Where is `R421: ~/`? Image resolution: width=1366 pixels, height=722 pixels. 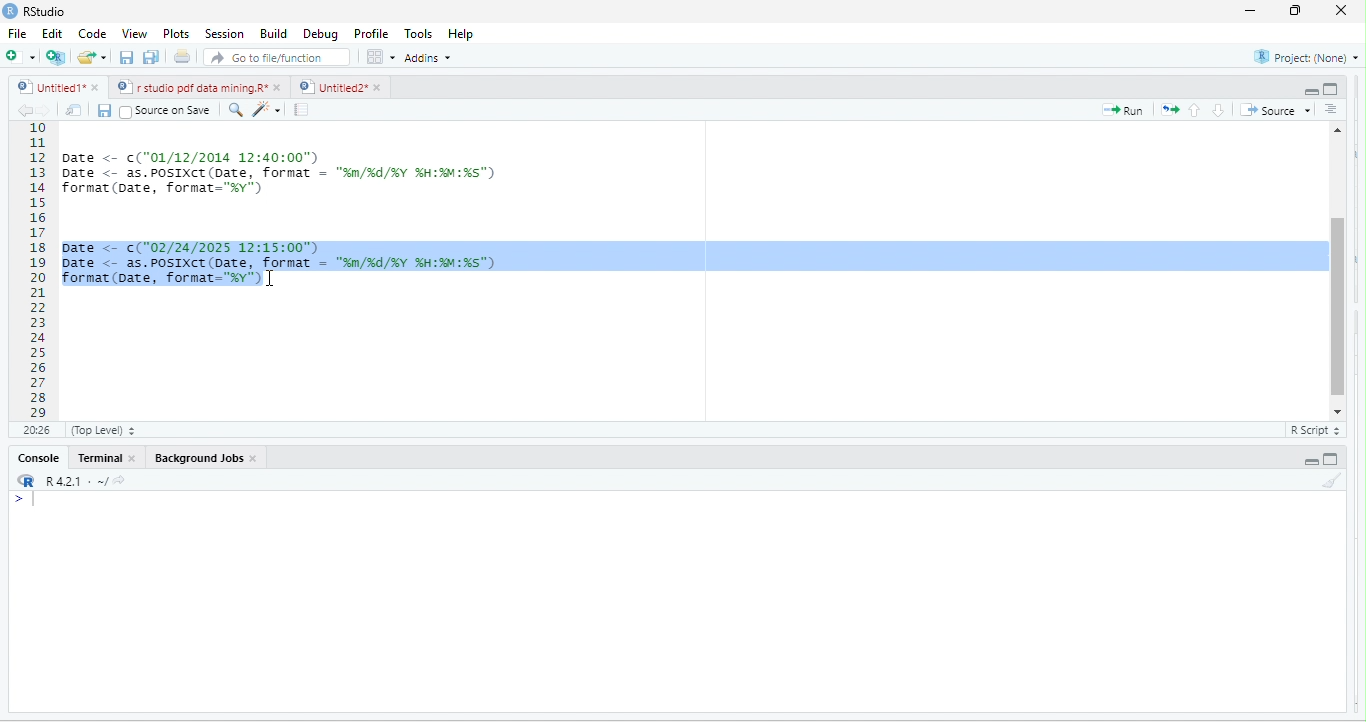 R421: ~/ is located at coordinates (84, 480).